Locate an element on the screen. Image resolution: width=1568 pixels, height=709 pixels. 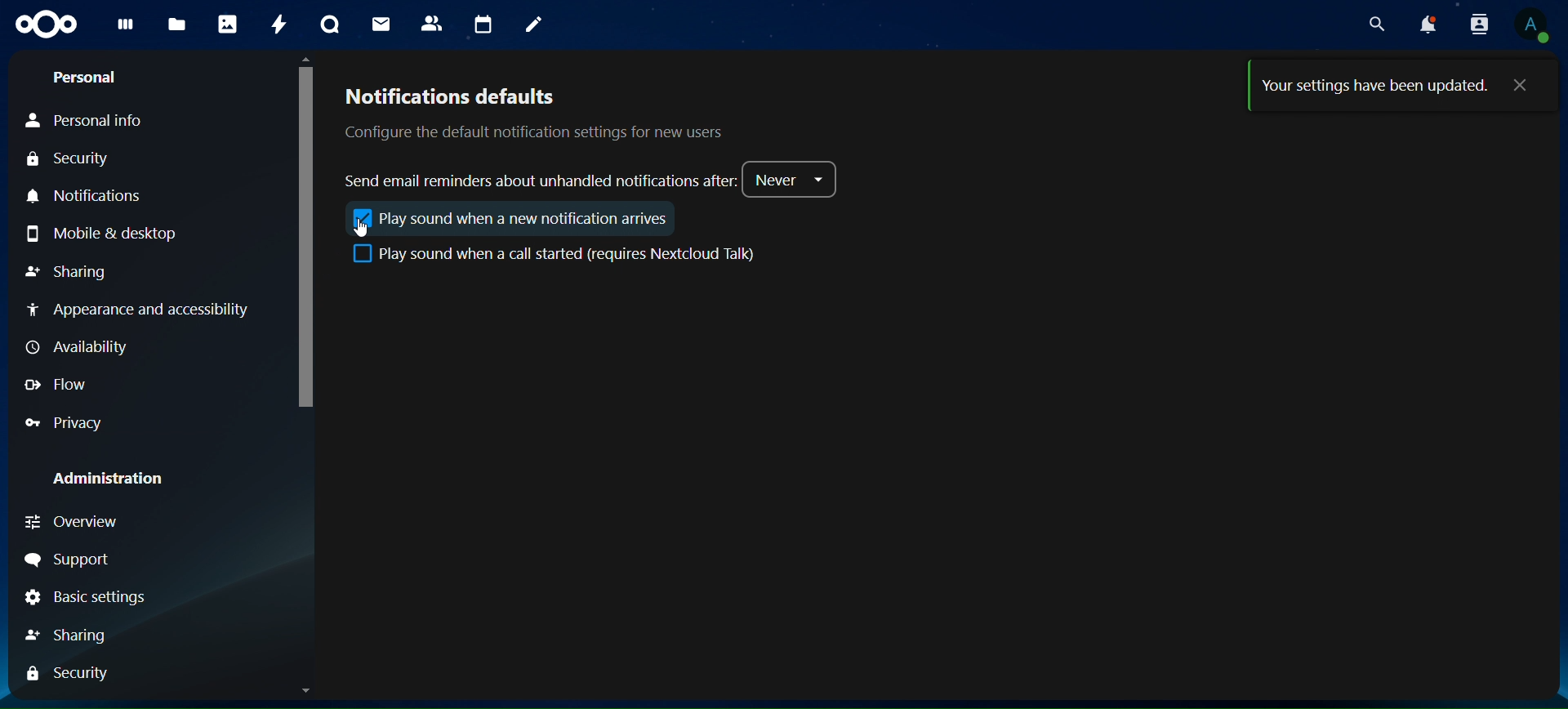
play sound when a call started  is located at coordinates (554, 253).